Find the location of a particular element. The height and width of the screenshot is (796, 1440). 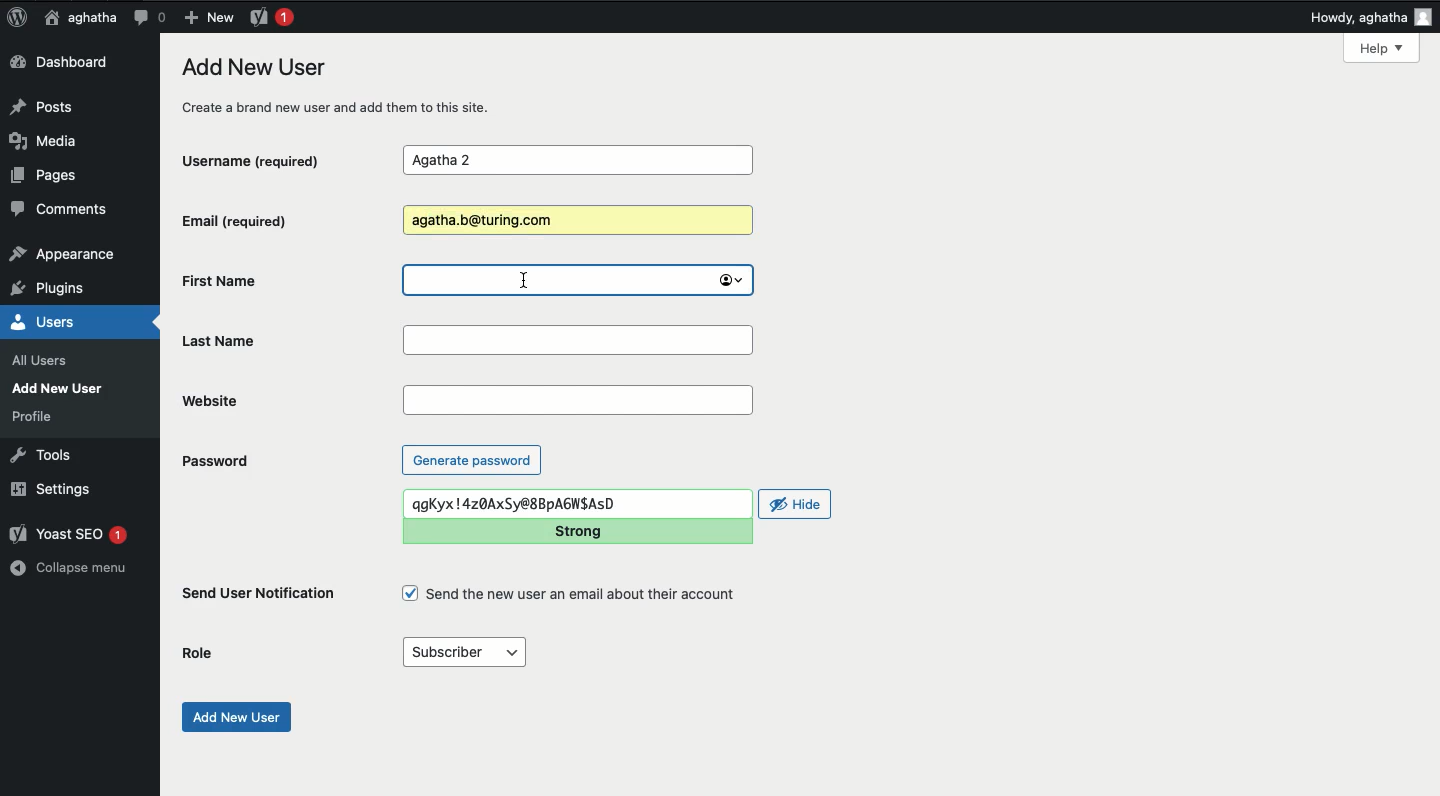

Pages is located at coordinates (50, 179).